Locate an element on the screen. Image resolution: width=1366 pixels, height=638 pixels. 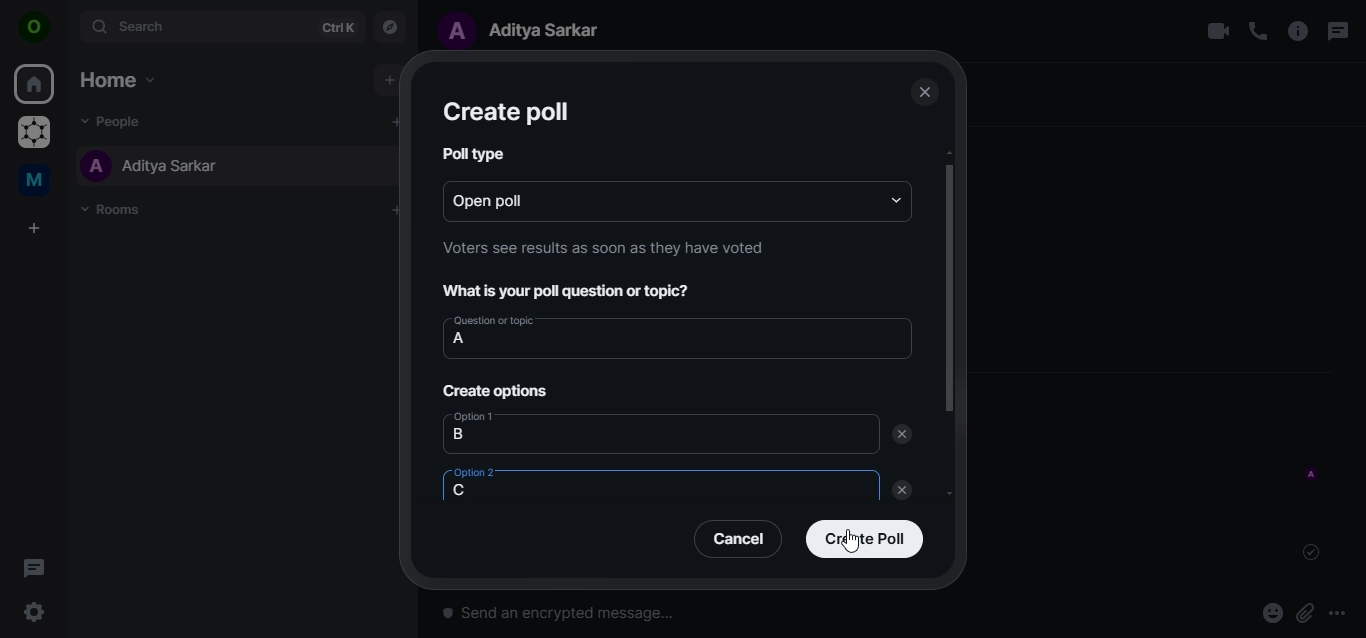
Option 1 is located at coordinates (475, 417).